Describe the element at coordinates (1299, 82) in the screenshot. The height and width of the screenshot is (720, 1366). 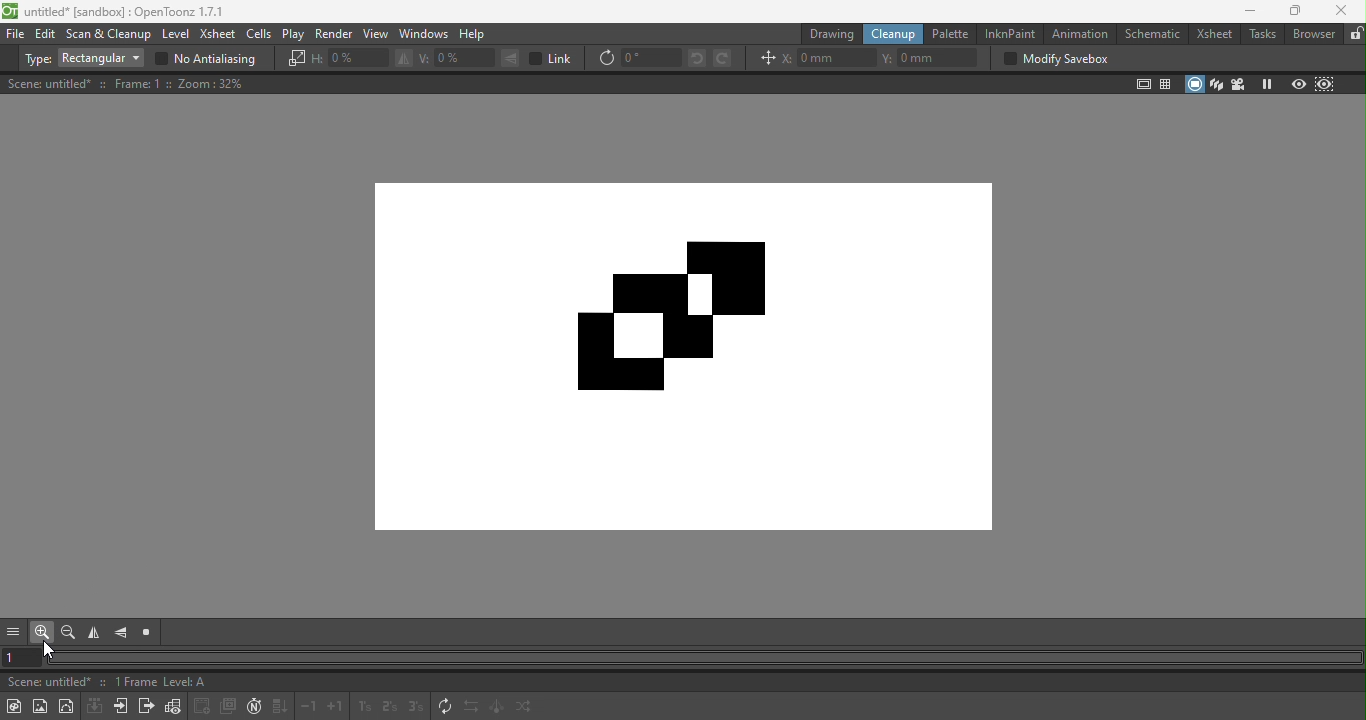
I see `Preview` at that location.